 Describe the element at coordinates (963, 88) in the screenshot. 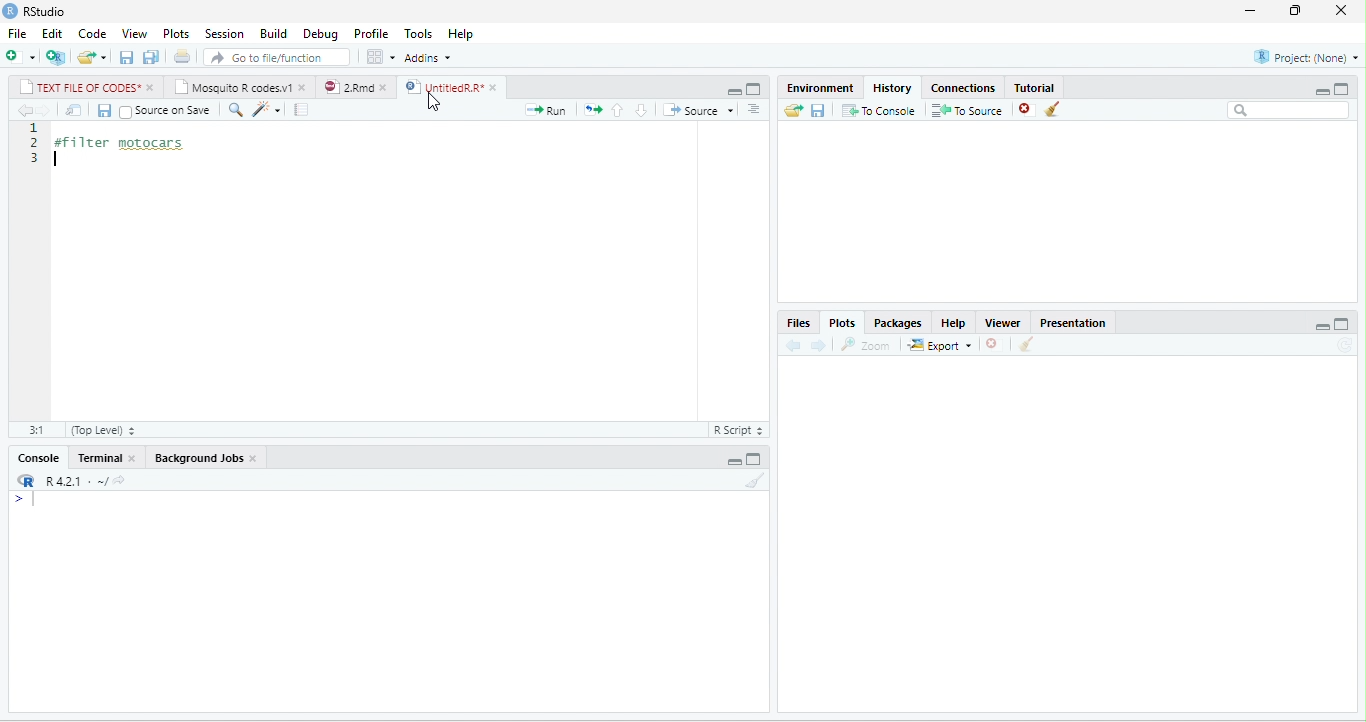

I see `Connections` at that location.